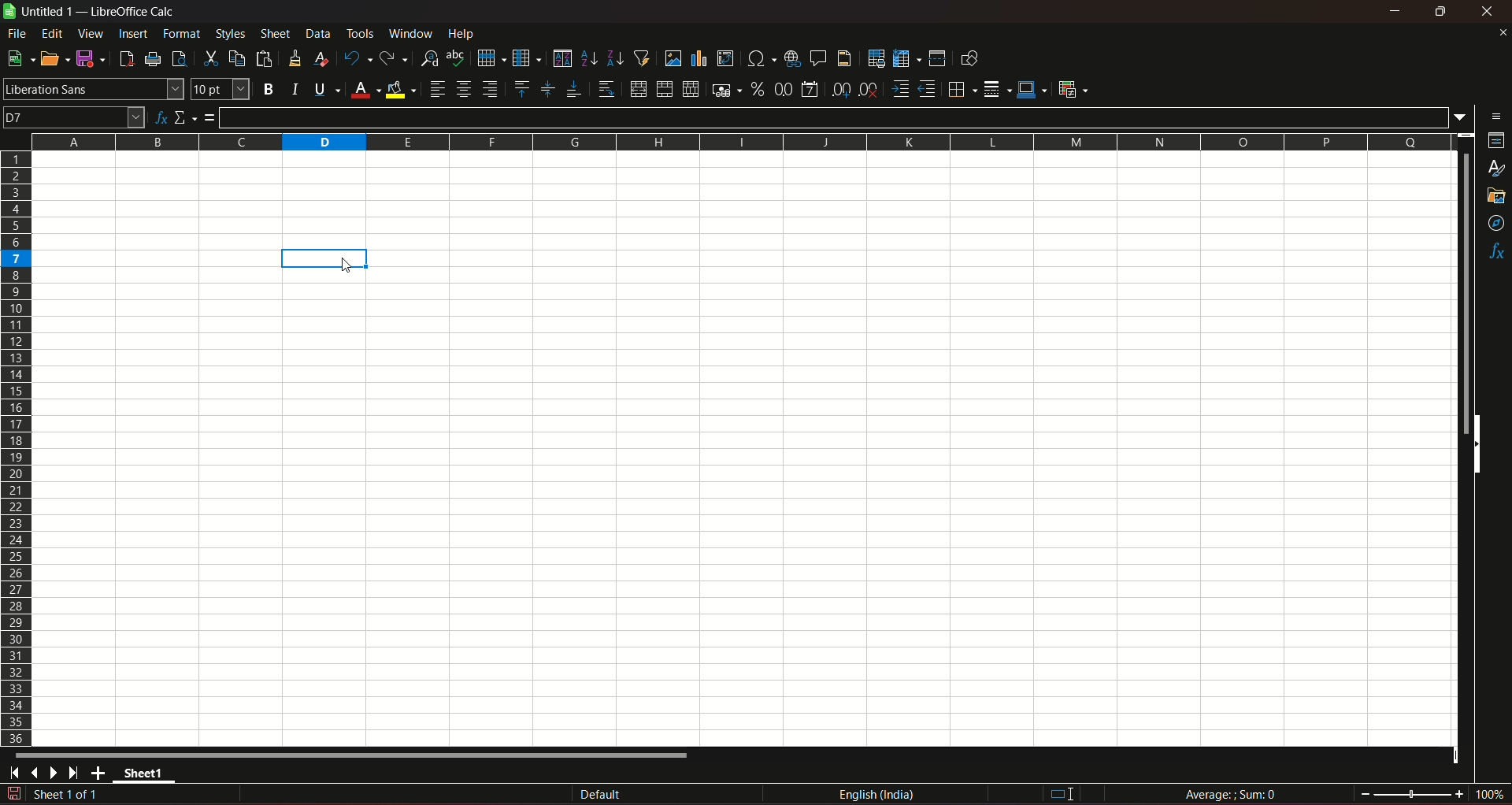 Image resolution: width=1512 pixels, height=805 pixels. Describe the element at coordinates (237, 58) in the screenshot. I see `copy` at that location.